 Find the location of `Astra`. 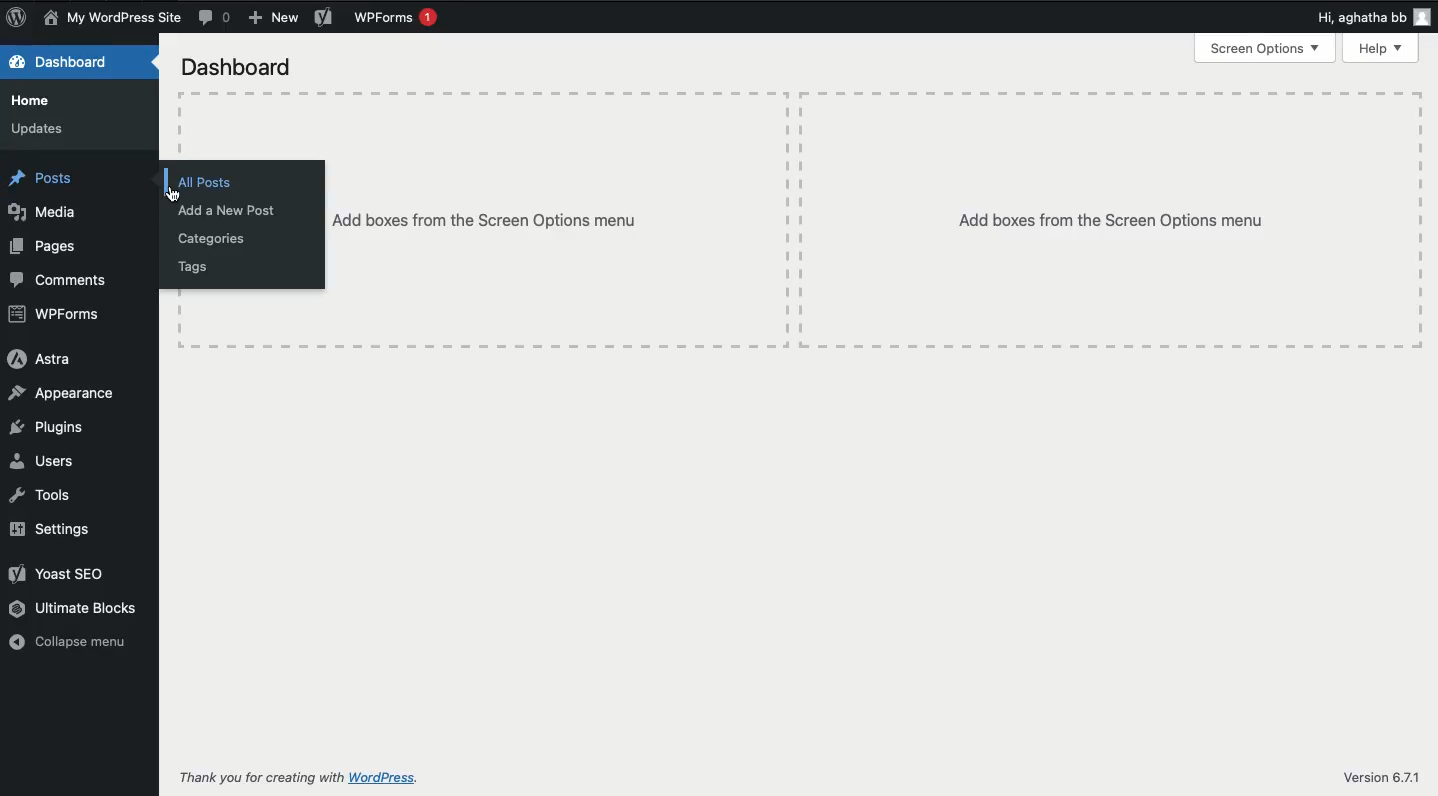

Astra is located at coordinates (39, 358).